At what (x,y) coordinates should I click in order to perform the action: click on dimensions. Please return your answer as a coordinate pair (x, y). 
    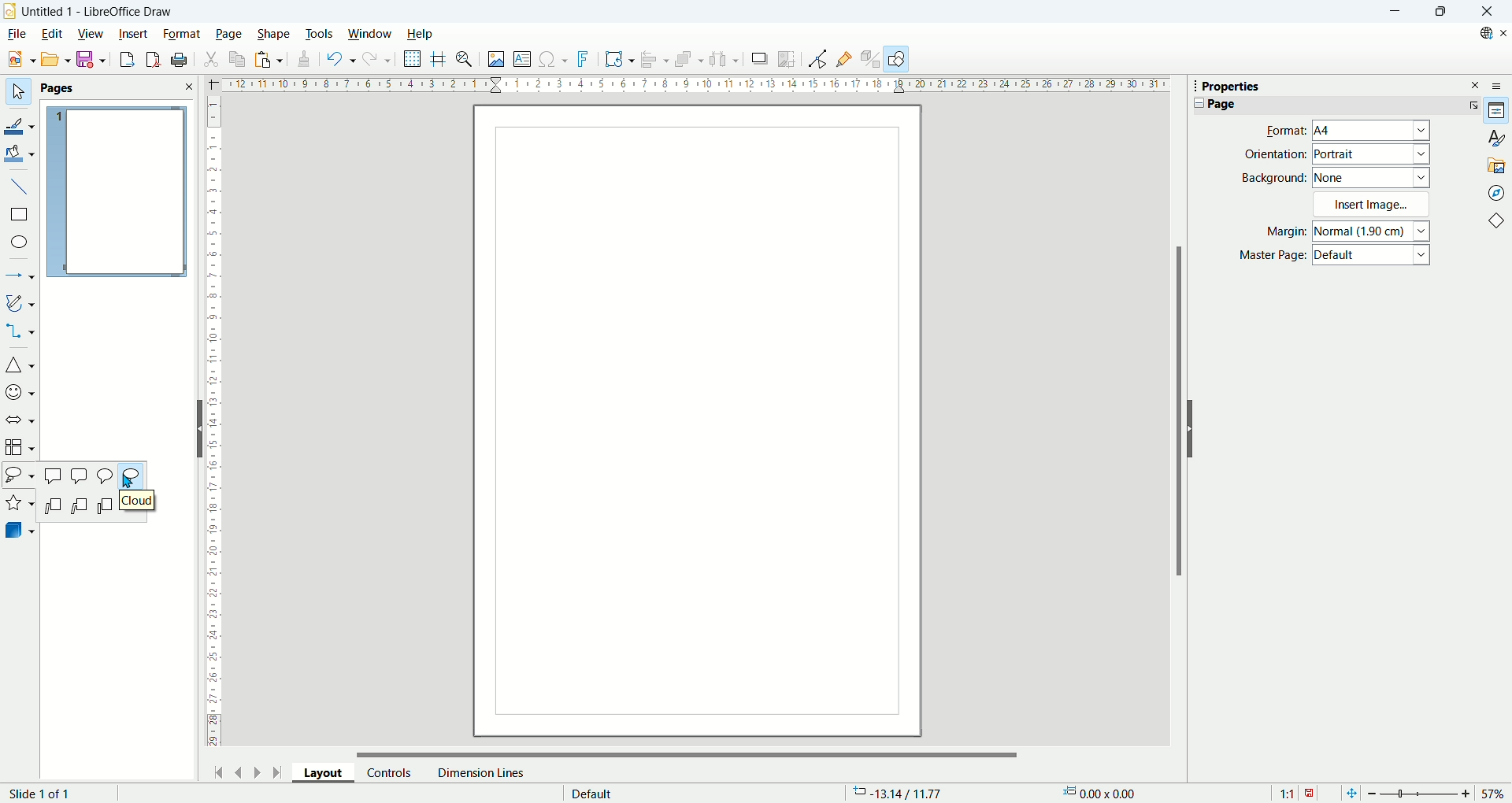
    Looking at the image, I should click on (1105, 793).